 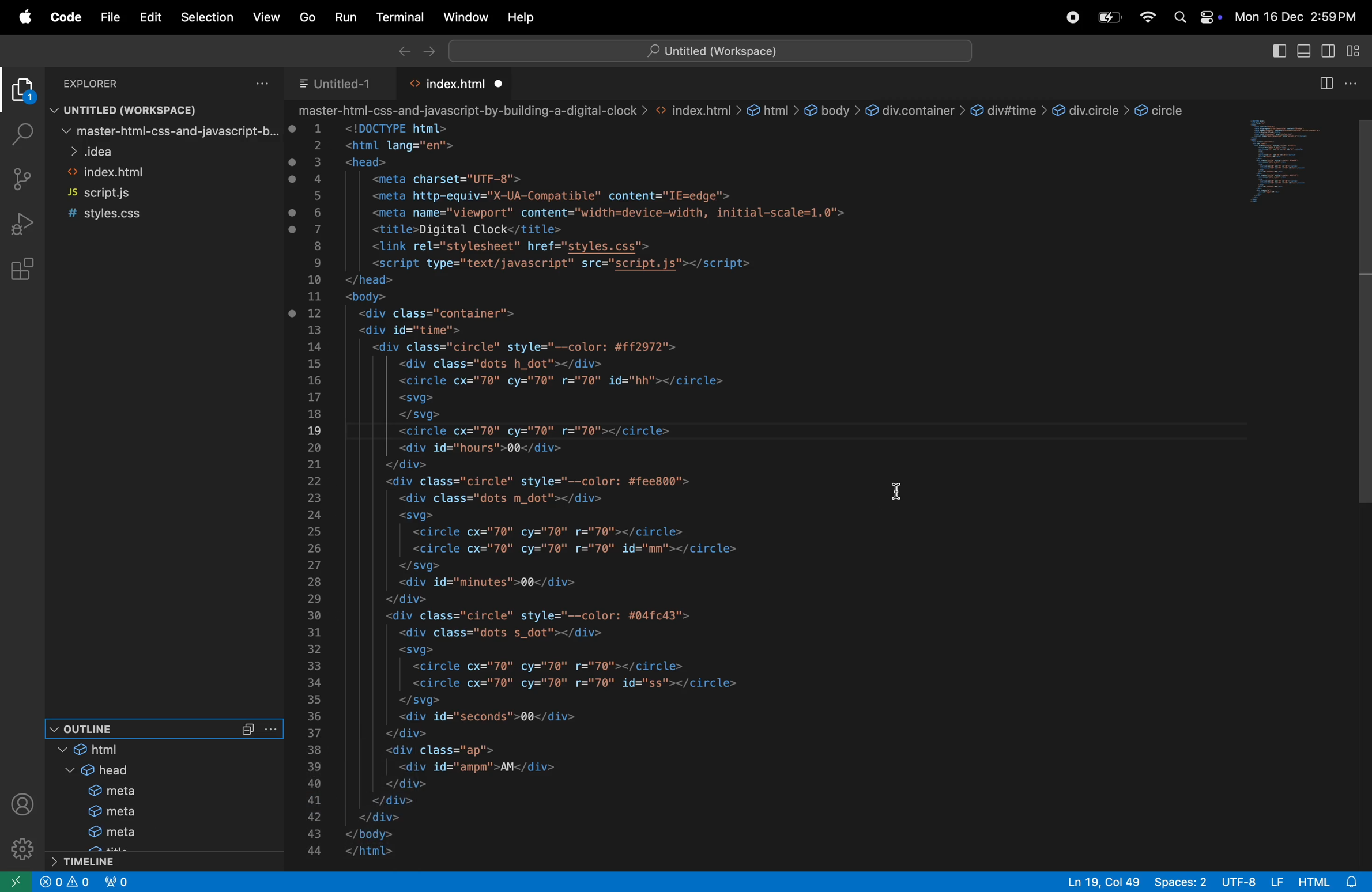 I want to click on Collapse , so click(x=248, y=730).